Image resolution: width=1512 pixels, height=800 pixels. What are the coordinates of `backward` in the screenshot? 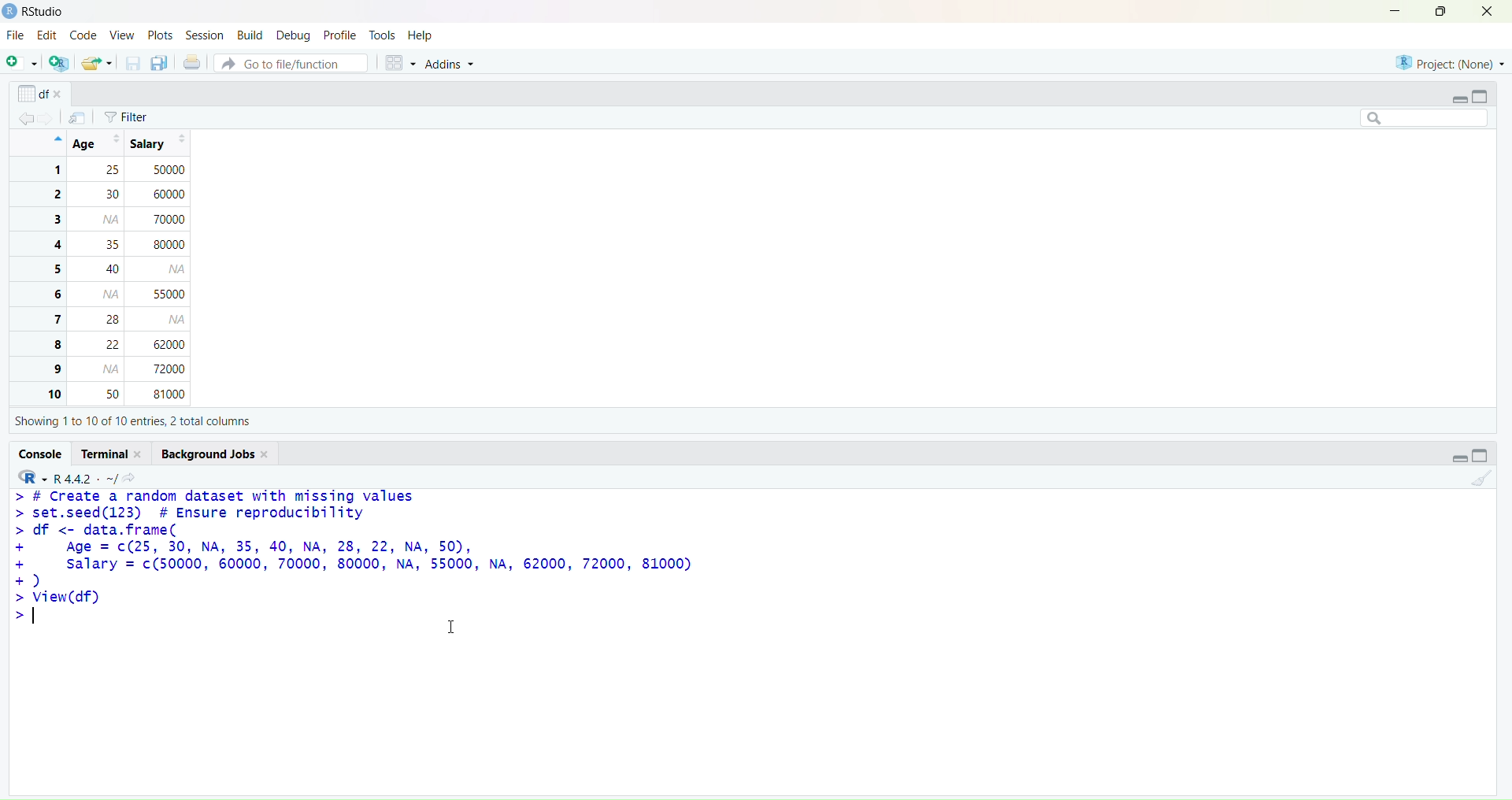 It's located at (27, 117).